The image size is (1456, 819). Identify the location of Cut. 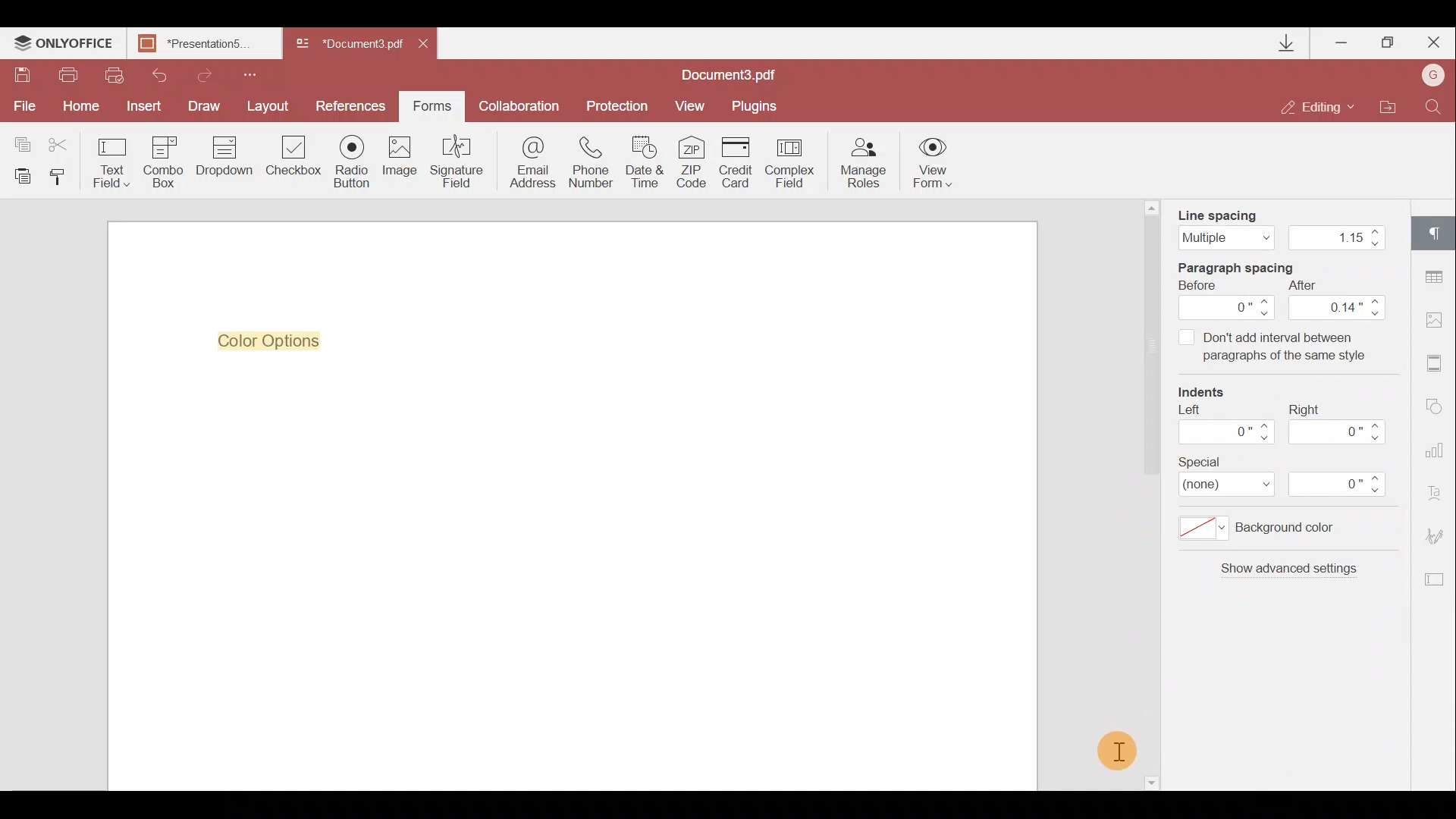
(60, 140).